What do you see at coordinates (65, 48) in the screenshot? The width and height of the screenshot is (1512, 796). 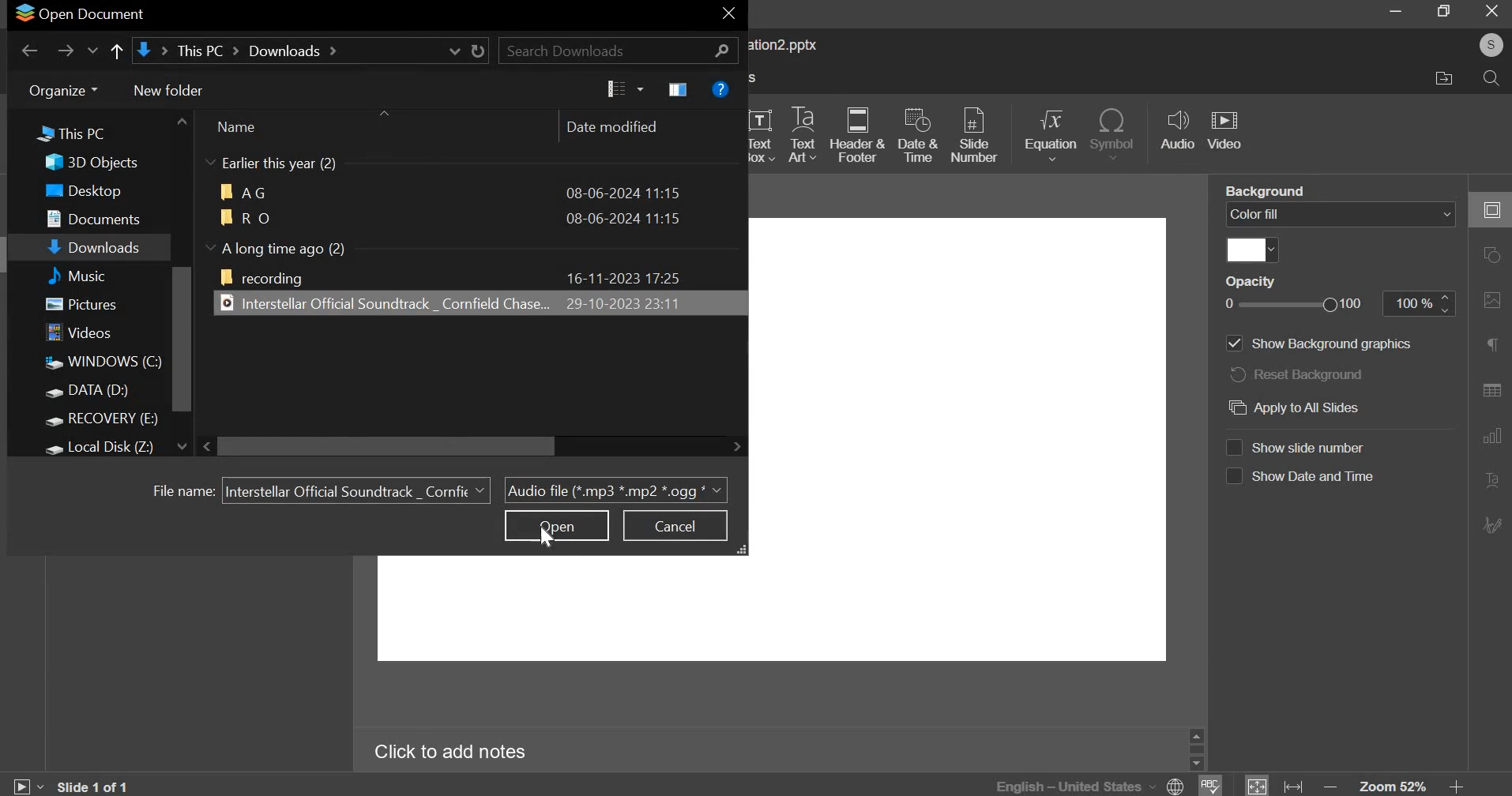 I see `forward` at bounding box center [65, 48].